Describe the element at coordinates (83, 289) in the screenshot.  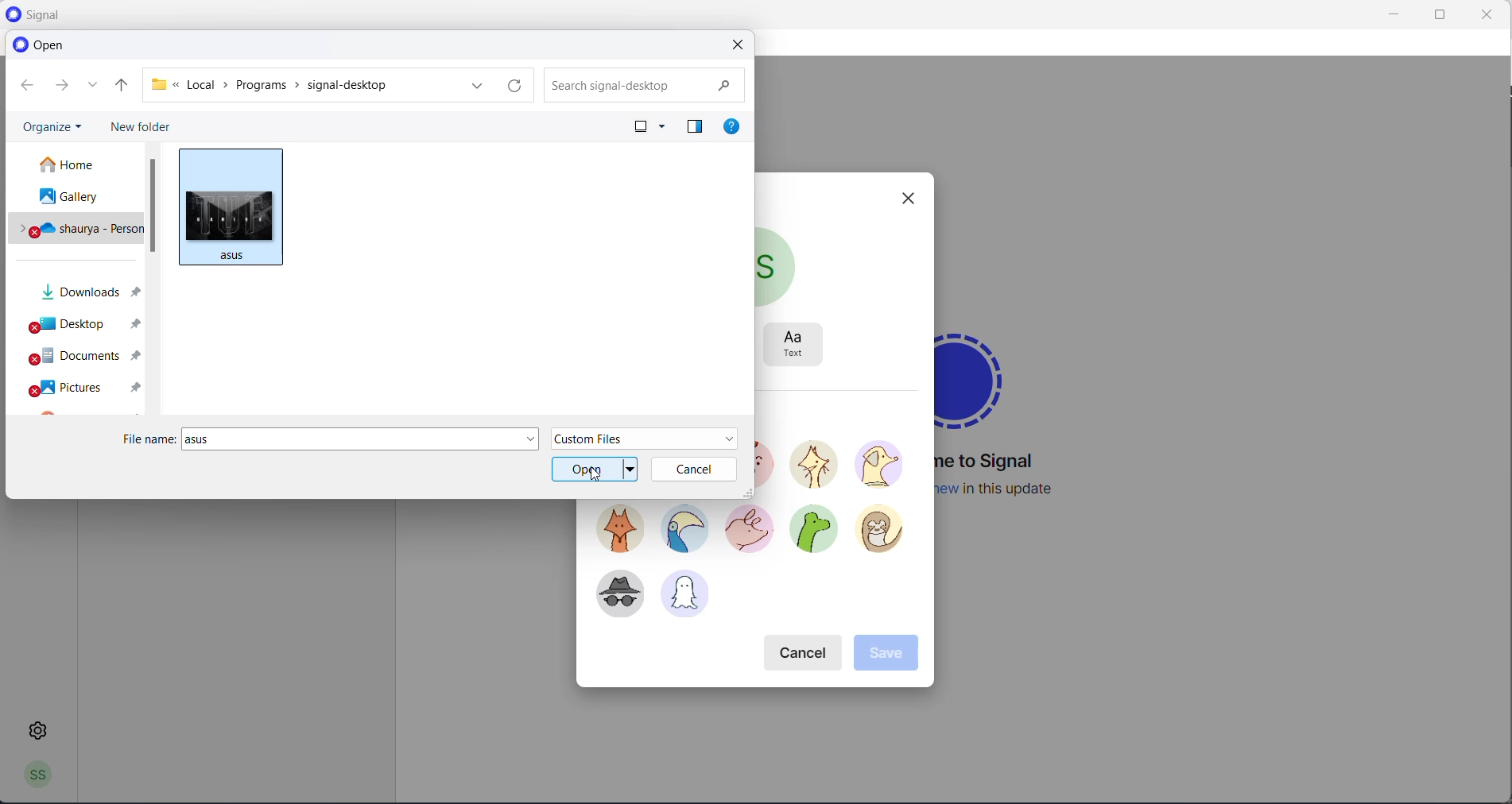
I see `downloads` at that location.